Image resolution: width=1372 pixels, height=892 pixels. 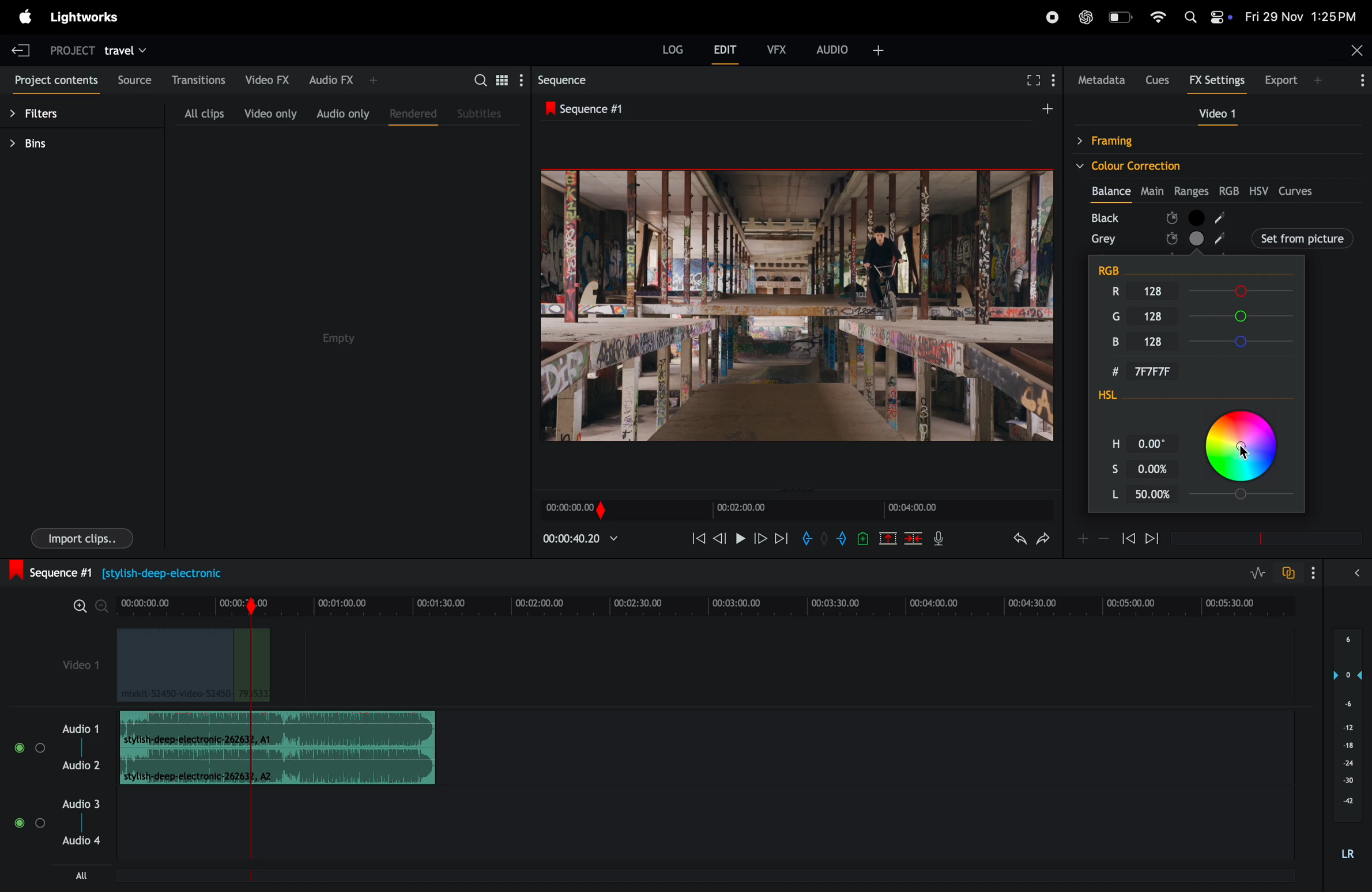 I want to click on rgb, so click(x=1231, y=191).